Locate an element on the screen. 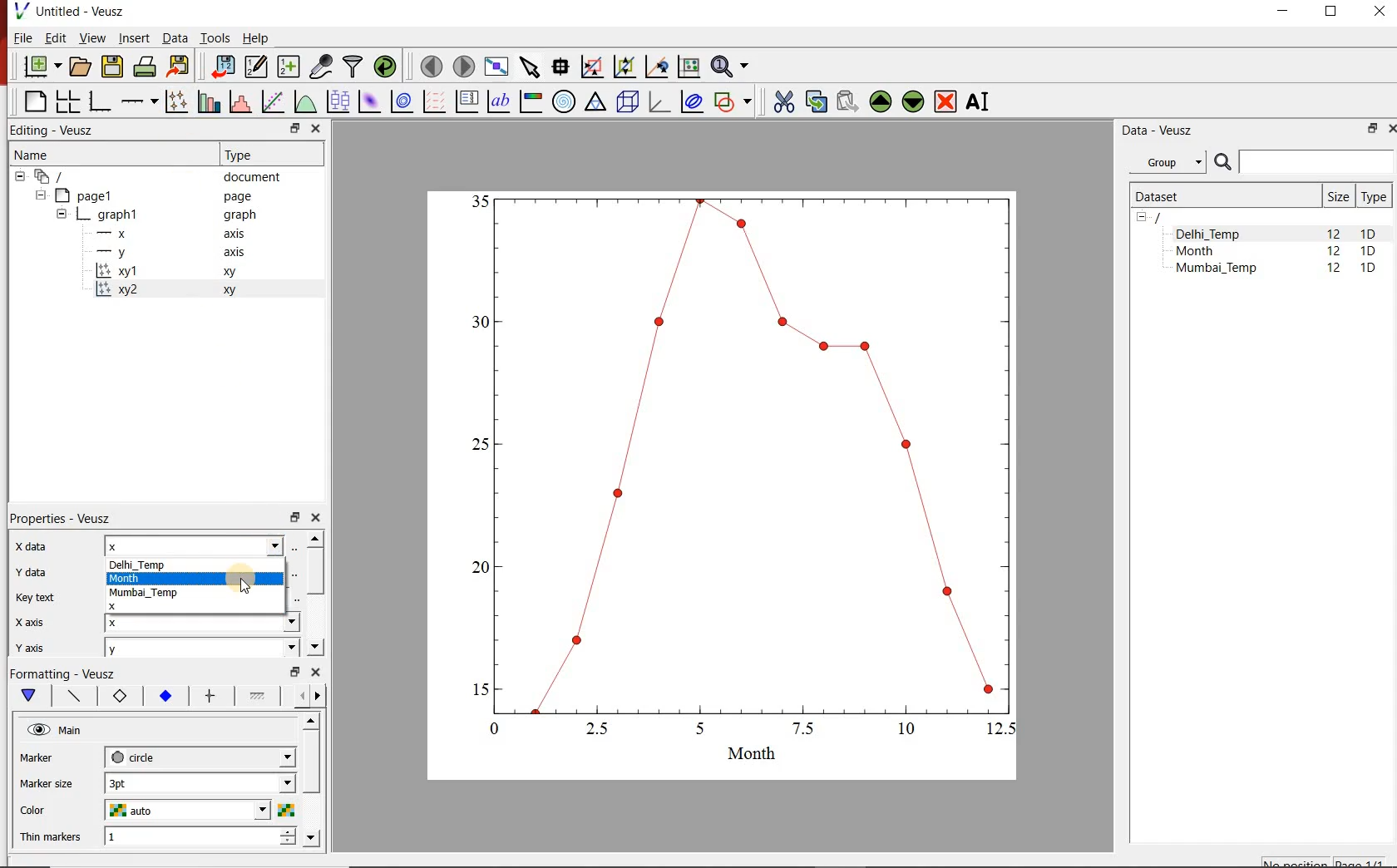  Axis label is located at coordinates (116, 696).